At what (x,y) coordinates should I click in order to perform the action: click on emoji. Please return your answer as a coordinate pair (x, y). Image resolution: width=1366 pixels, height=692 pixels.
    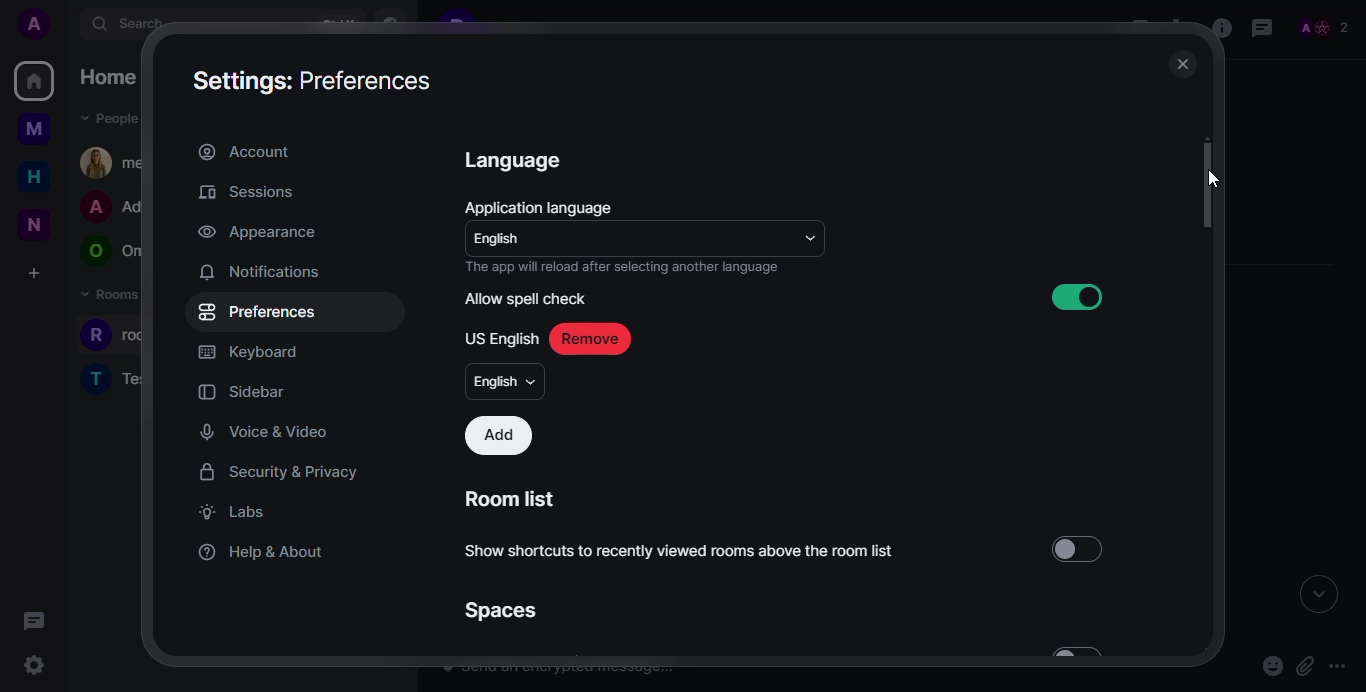
    Looking at the image, I should click on (1271, 665).